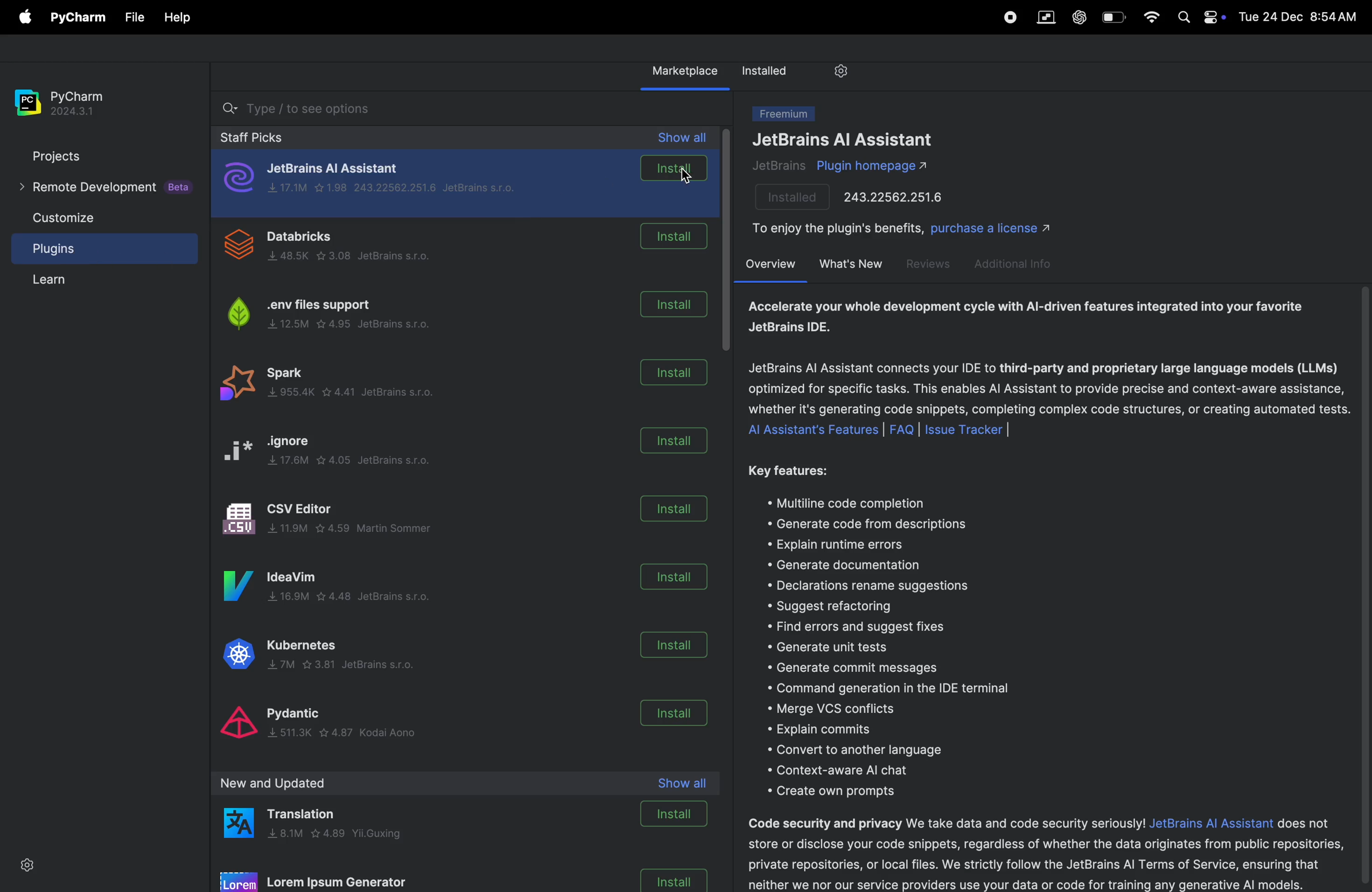 Image resolution: width=1372 pixels, height=892 pixels. I want to click on spark, so click(341, 388).